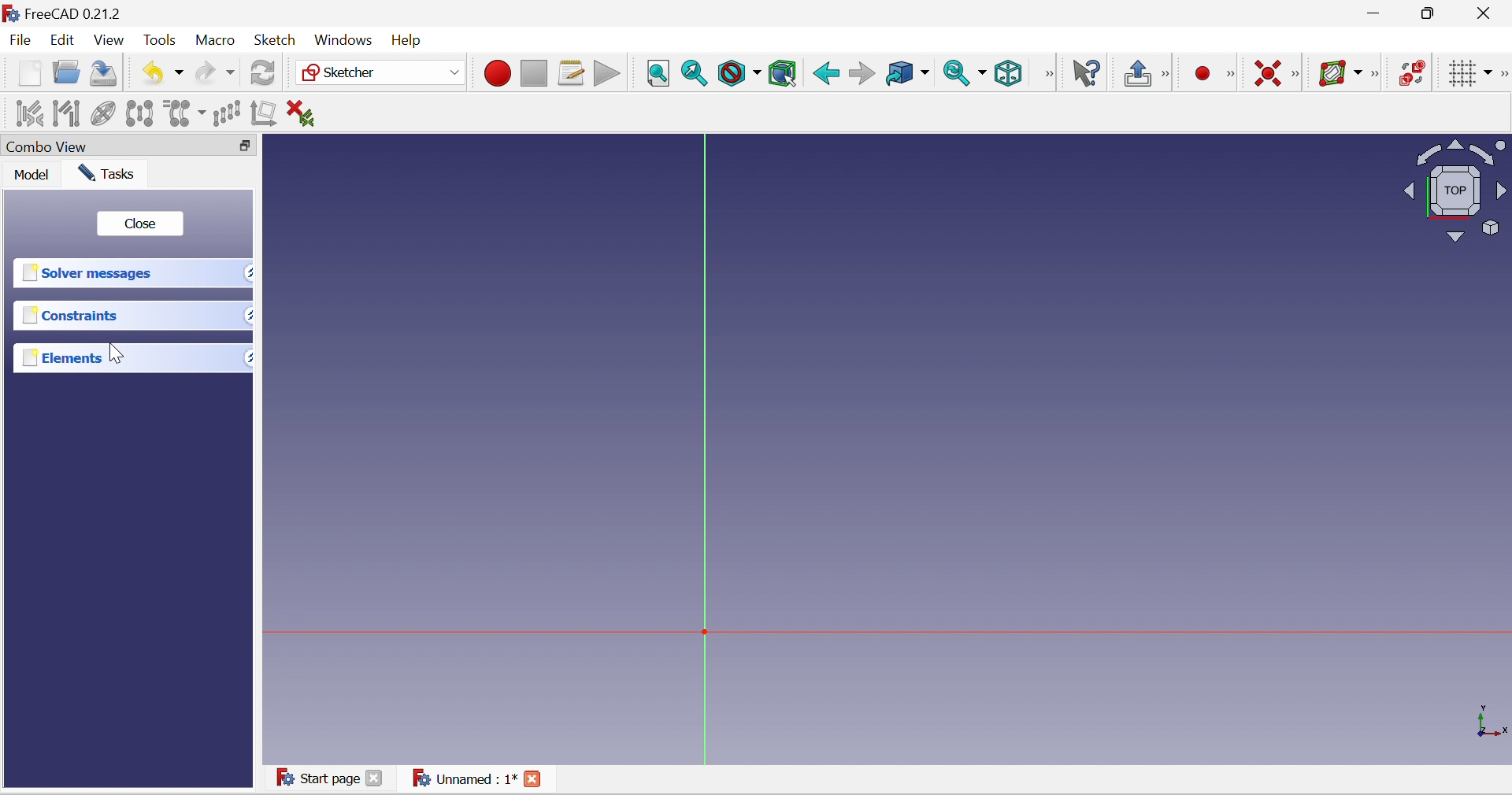  I want to click on Symmetry, so click(140, 113).